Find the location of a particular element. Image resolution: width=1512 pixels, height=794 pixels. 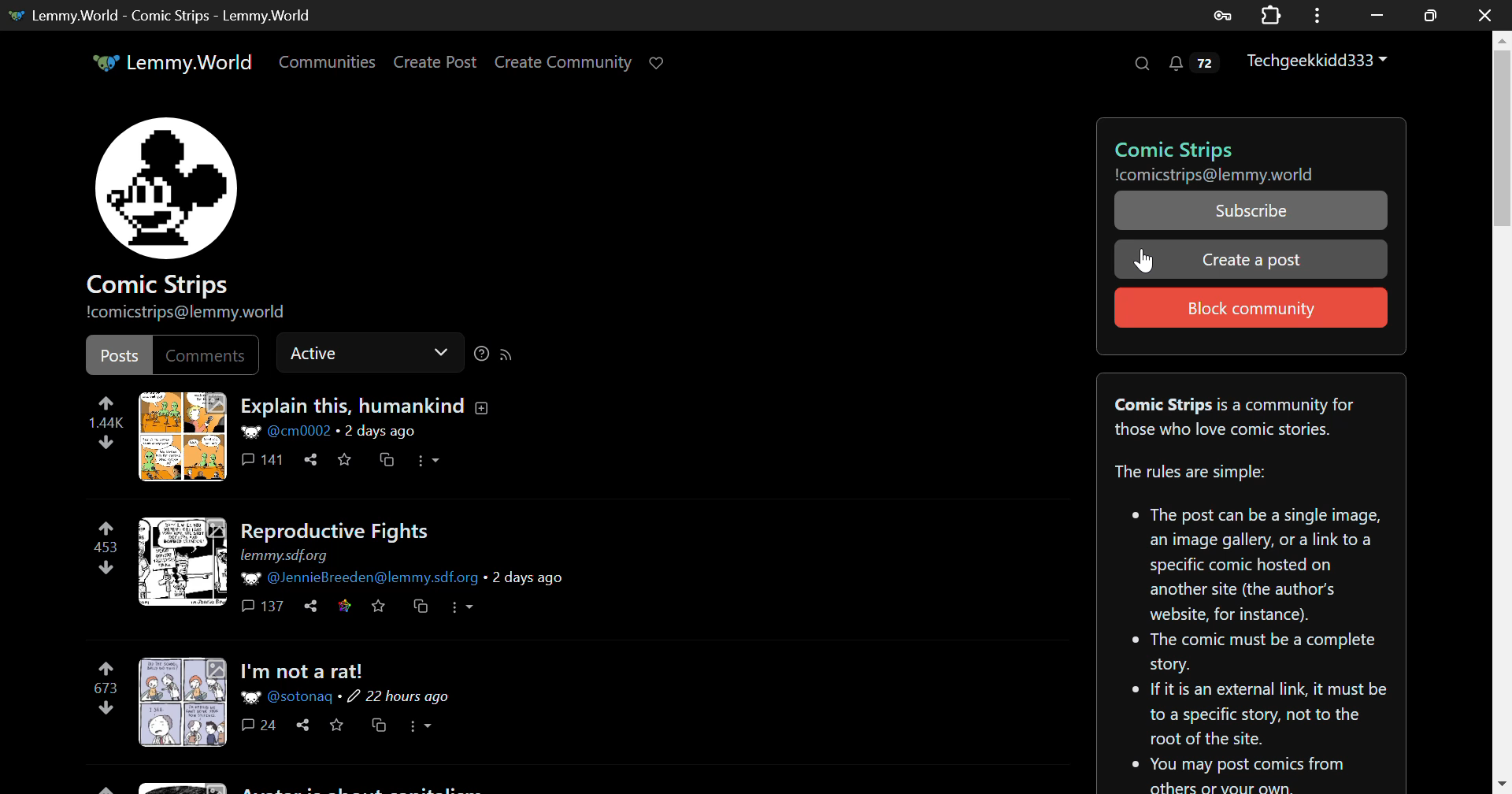

Status Bar is located at coordinates (362, 352).